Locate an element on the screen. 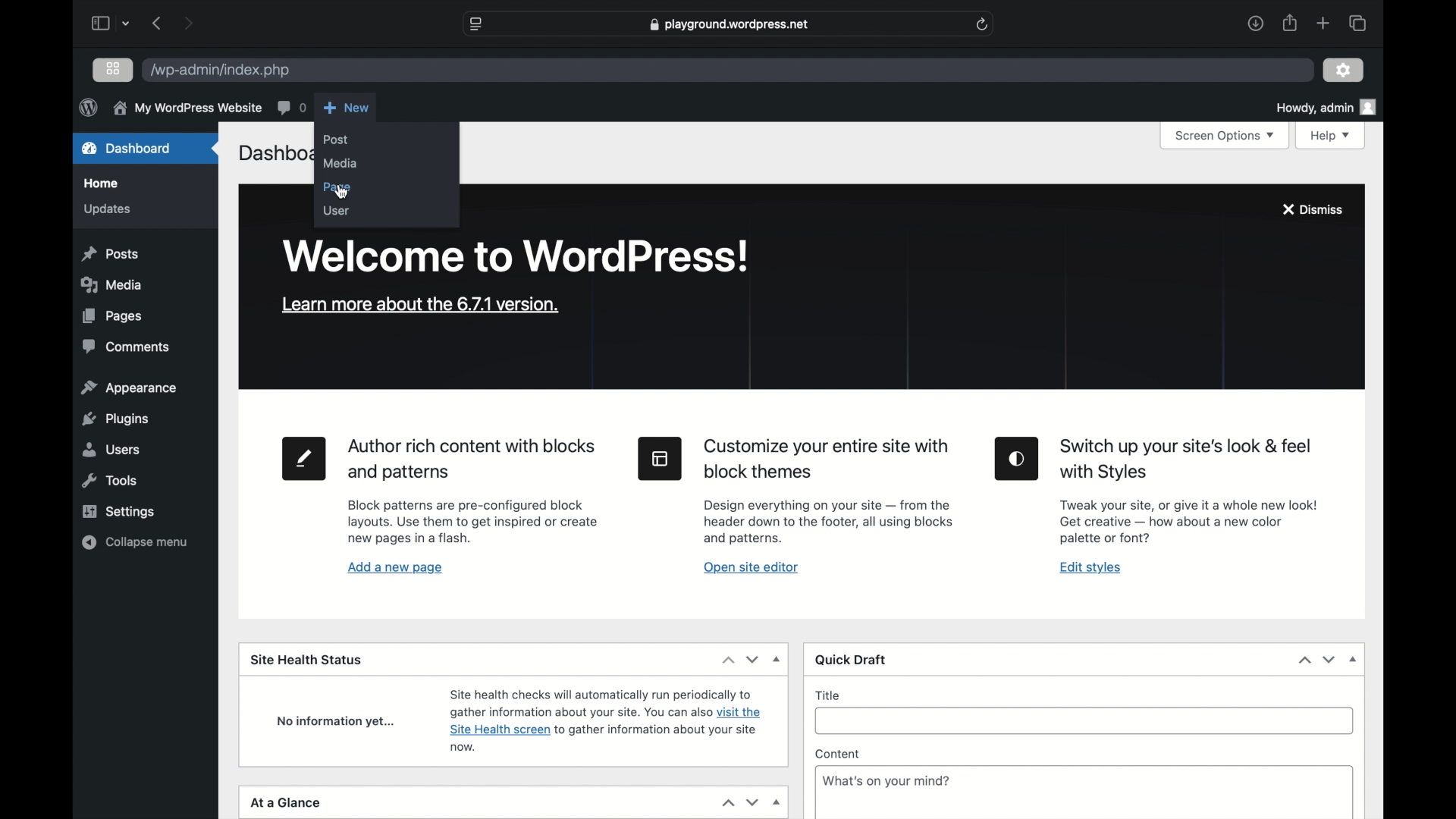  tools is located at coordinates (111, 481).